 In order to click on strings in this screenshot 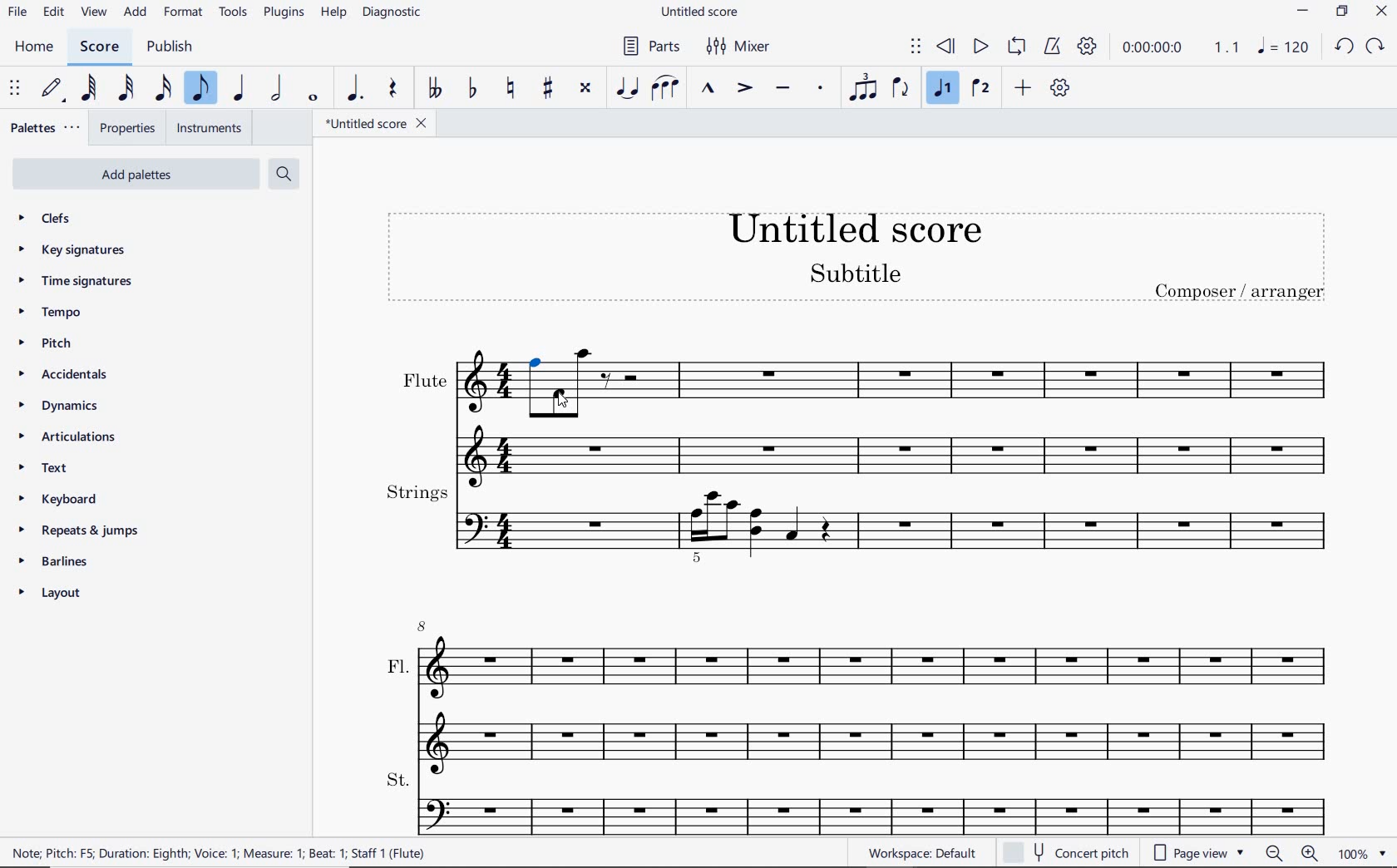, I will do `click(859, 521)`.